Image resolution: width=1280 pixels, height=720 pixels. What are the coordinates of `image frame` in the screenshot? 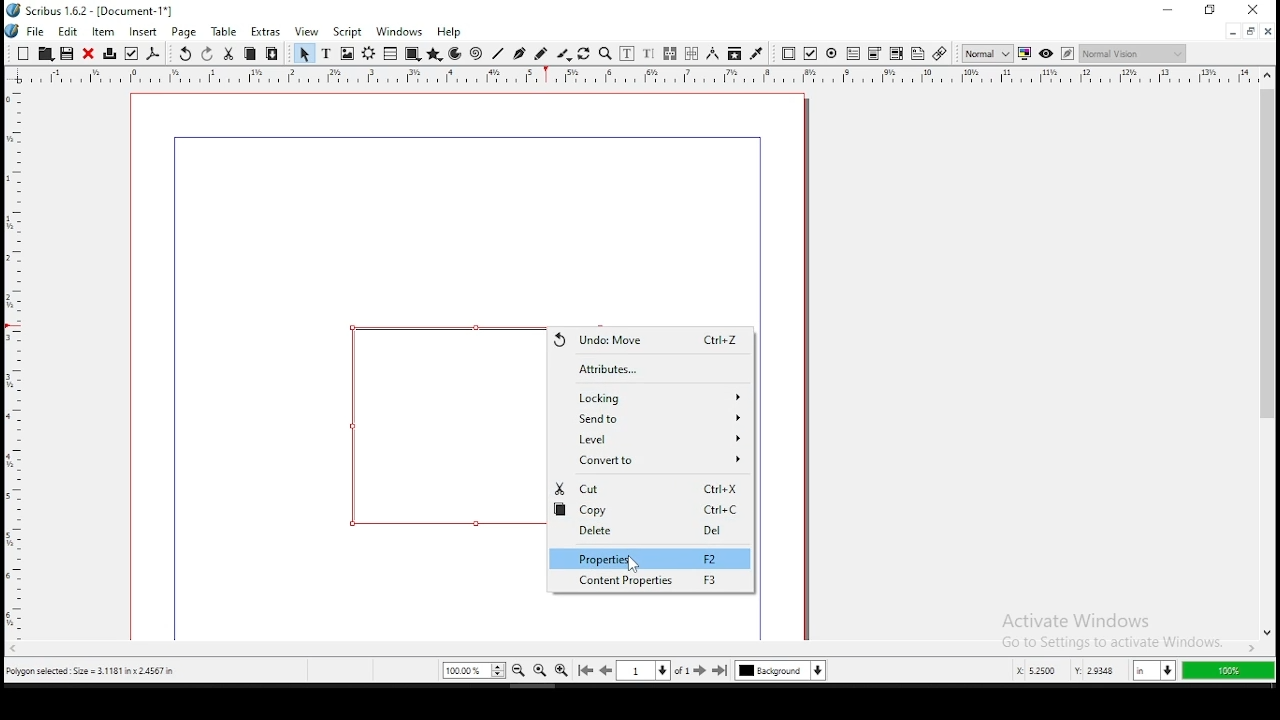 It's located at (347, 53).